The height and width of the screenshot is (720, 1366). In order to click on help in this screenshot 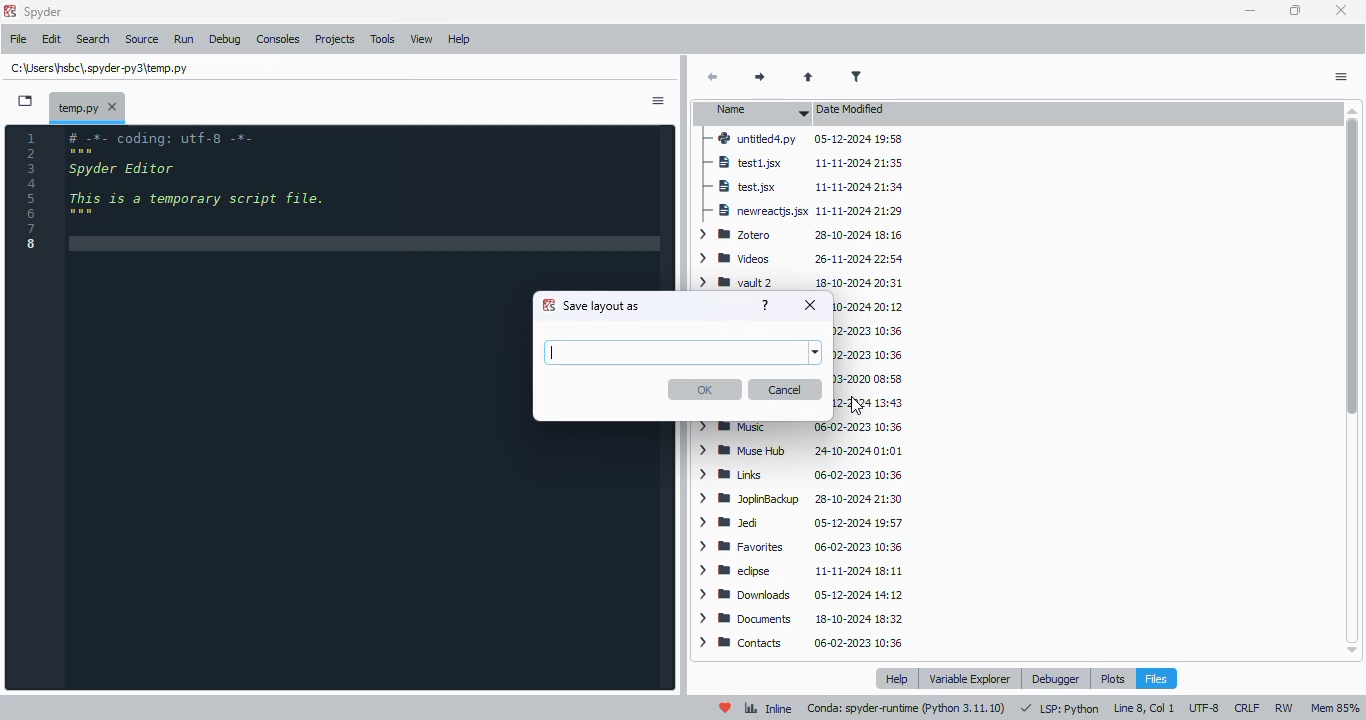, I will do `click(897, 678)`.